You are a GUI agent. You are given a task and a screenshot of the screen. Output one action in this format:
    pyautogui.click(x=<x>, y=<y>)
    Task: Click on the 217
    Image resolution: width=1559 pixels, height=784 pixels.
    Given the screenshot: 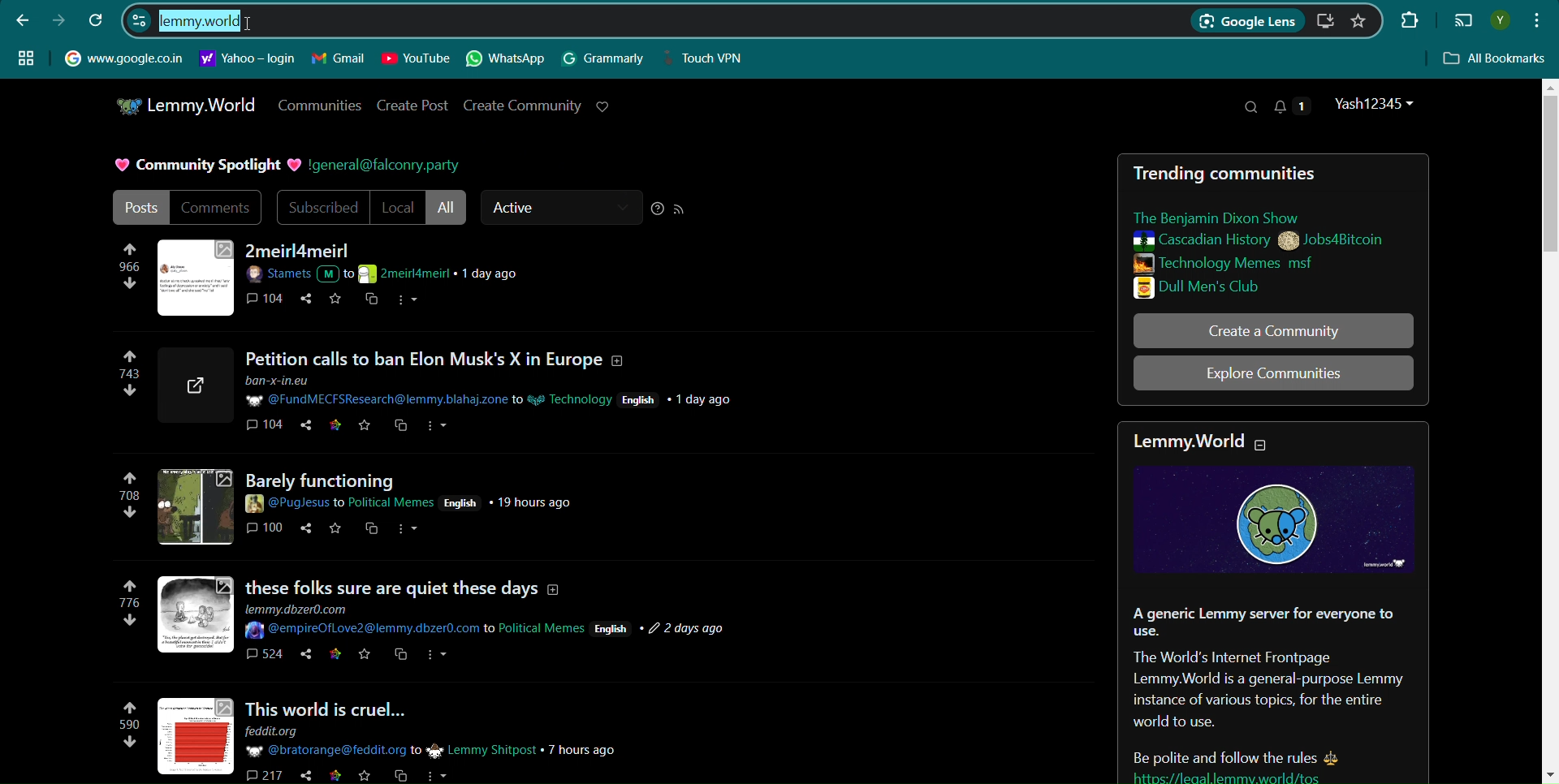 What is the action you would take?
    pyautogui.click(x=261, y=774)
    